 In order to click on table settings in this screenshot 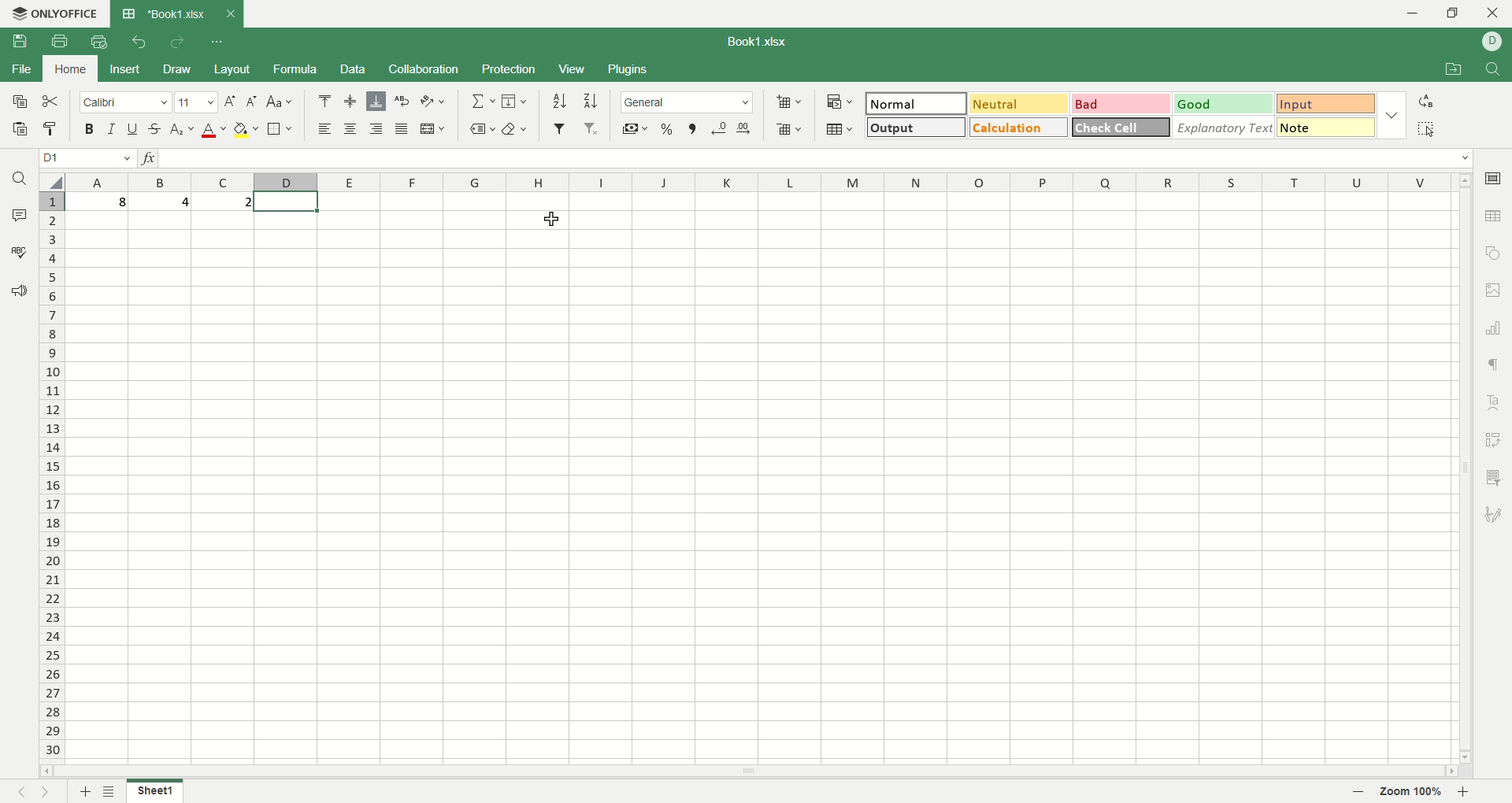, I will do `click(1494, 216)`.